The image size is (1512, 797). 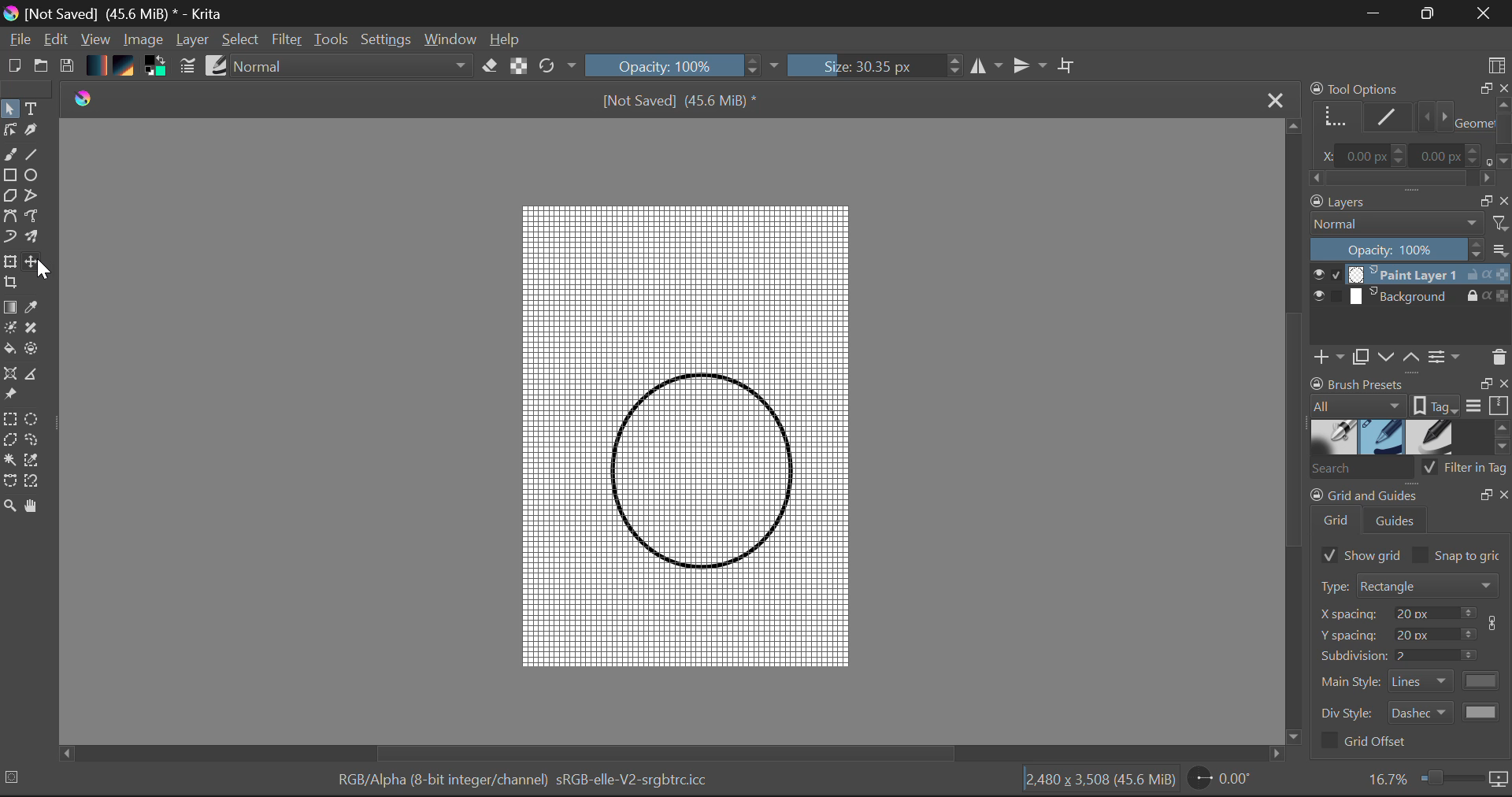 What do you see at coordinates (30, 481) in the screenshot?
I see `Magnetic Selection` at bounding box center [30, 481].